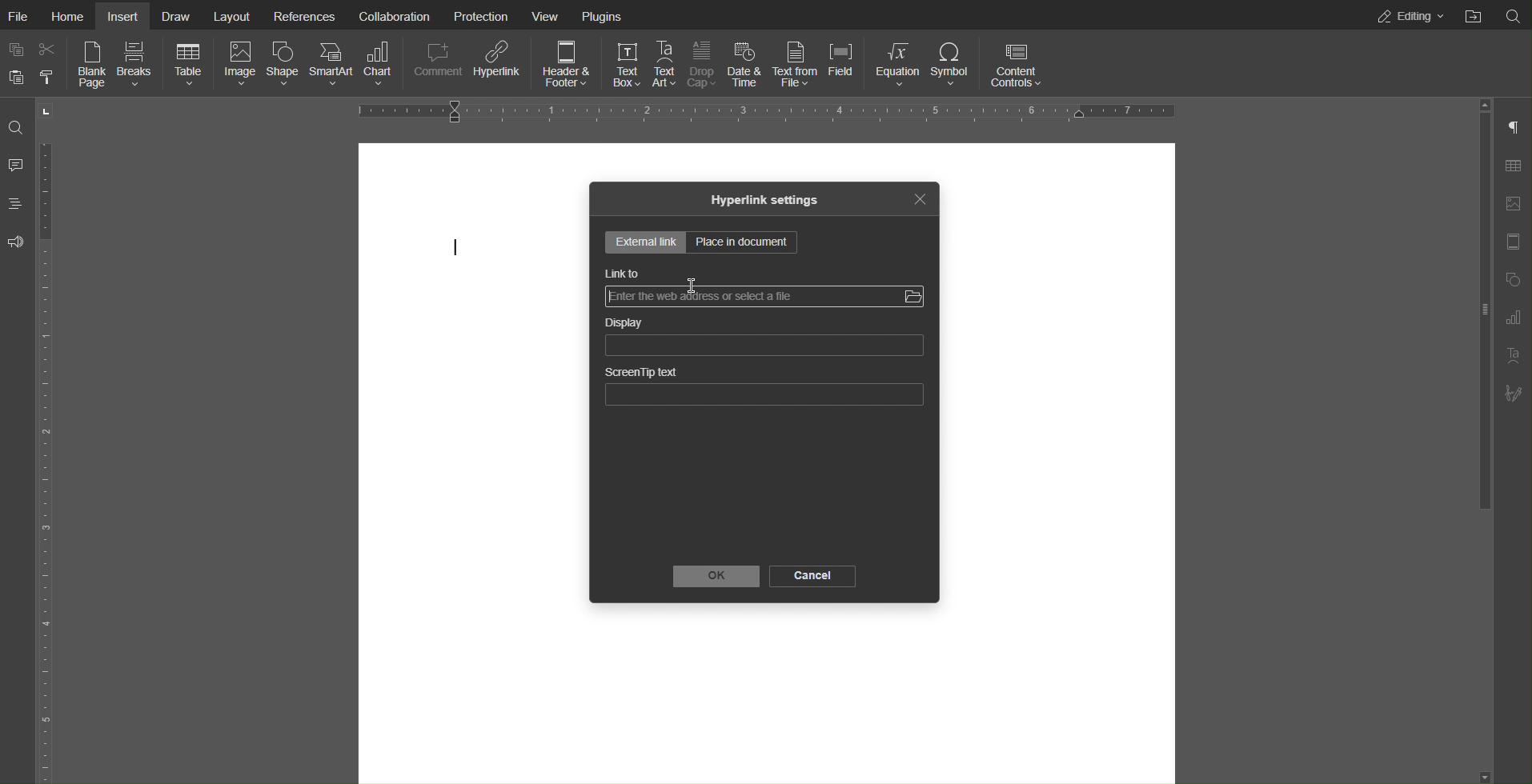  What do you see at coordinates (22, 16) in the screenshot?
I see `File` at bounding box center [22, 16].